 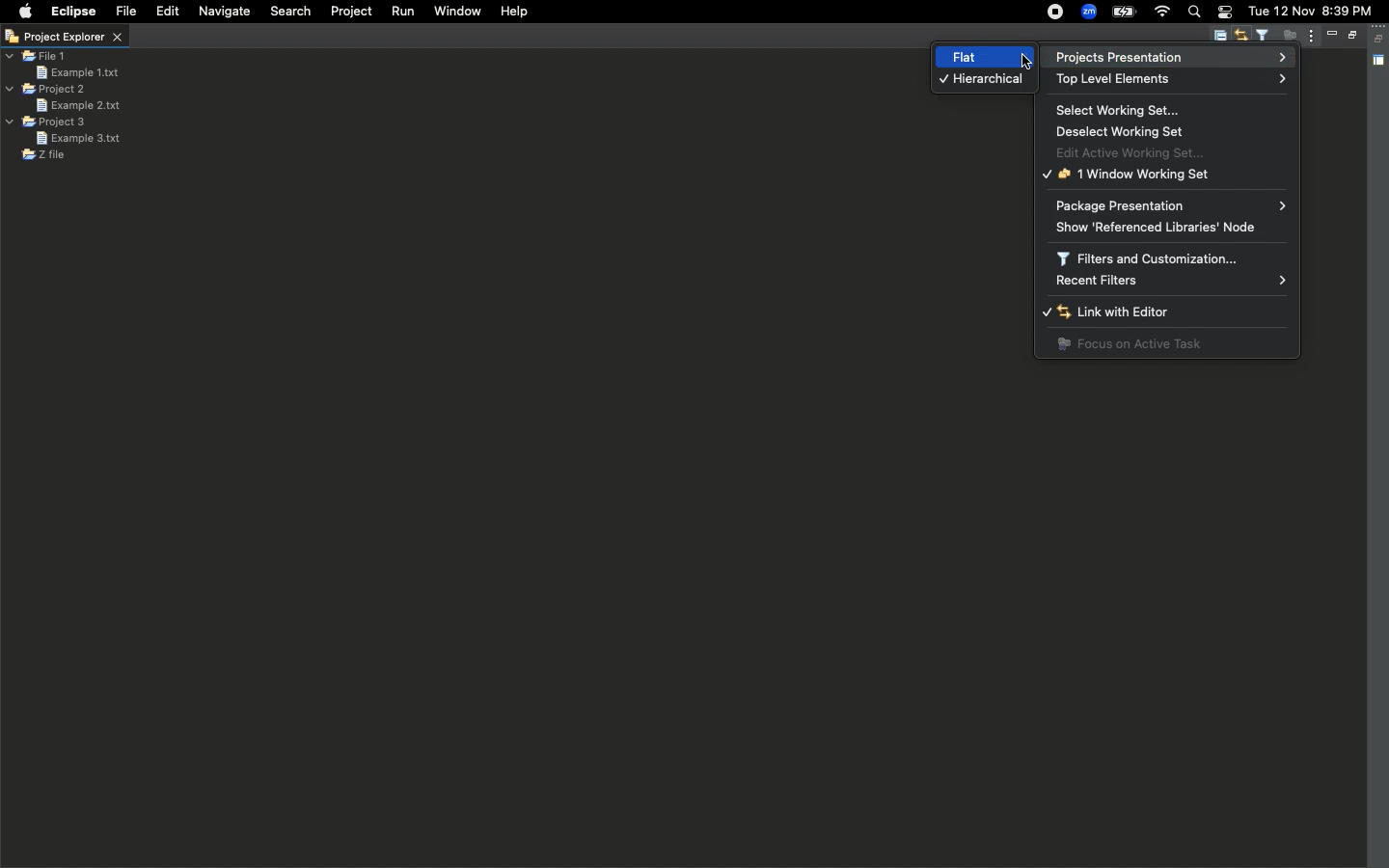 What do you see at coordinates (1167, 227) in the screenshot?
I see `Show referenced libraries node` at bounding box center [1167, 227].